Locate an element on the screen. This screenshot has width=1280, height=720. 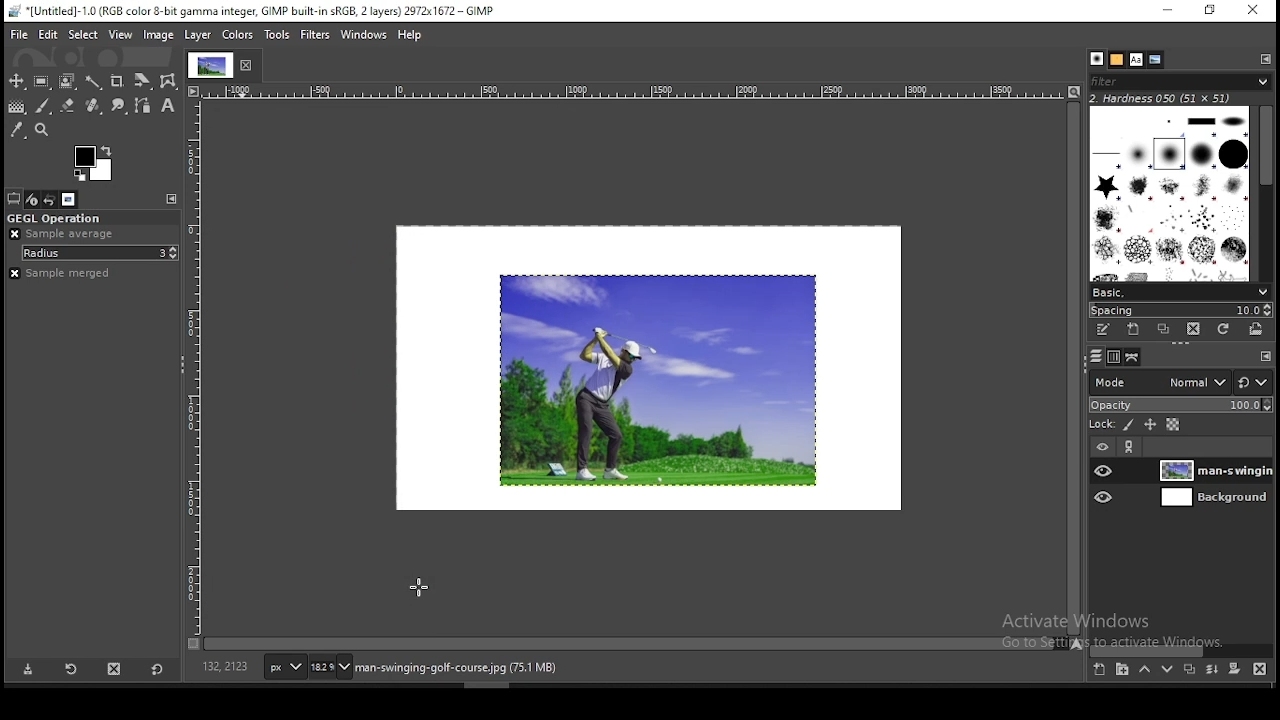
filters is located at coordinates (314, 35).